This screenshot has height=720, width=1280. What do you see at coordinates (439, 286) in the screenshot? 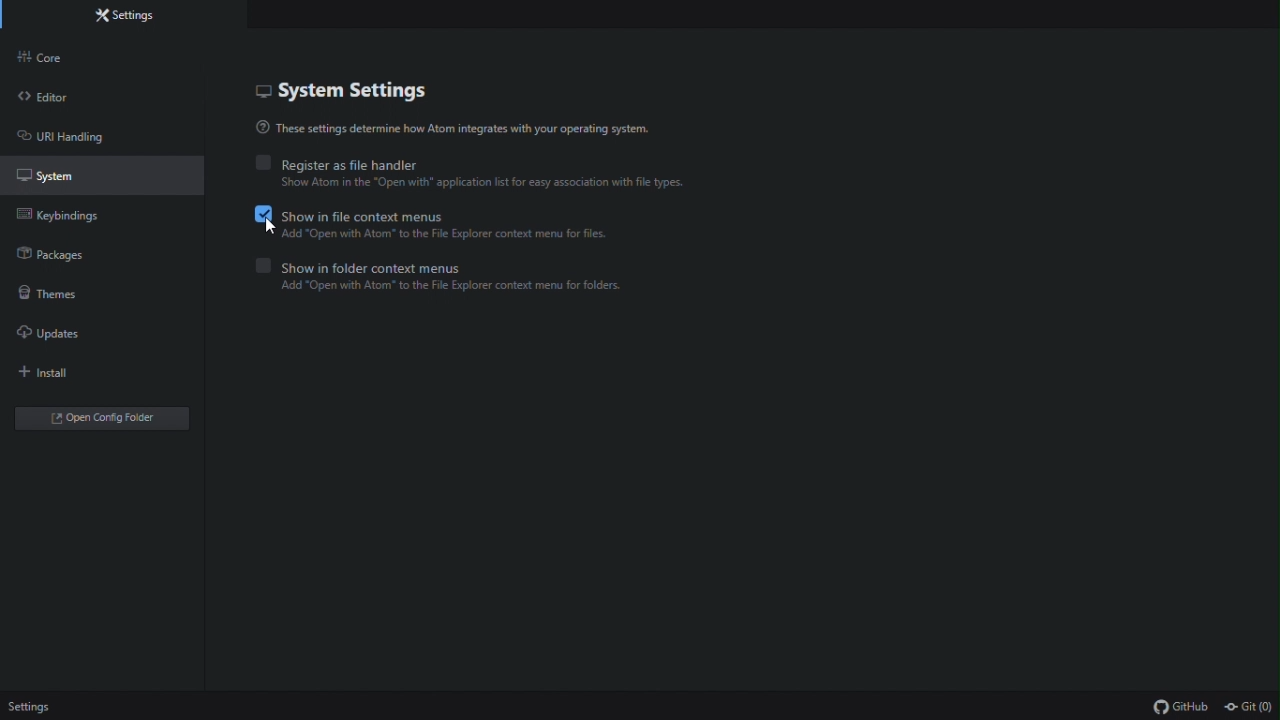
I see ` Add open with atom to the file explorer context menu for folders` at bounding box center [439, 286].